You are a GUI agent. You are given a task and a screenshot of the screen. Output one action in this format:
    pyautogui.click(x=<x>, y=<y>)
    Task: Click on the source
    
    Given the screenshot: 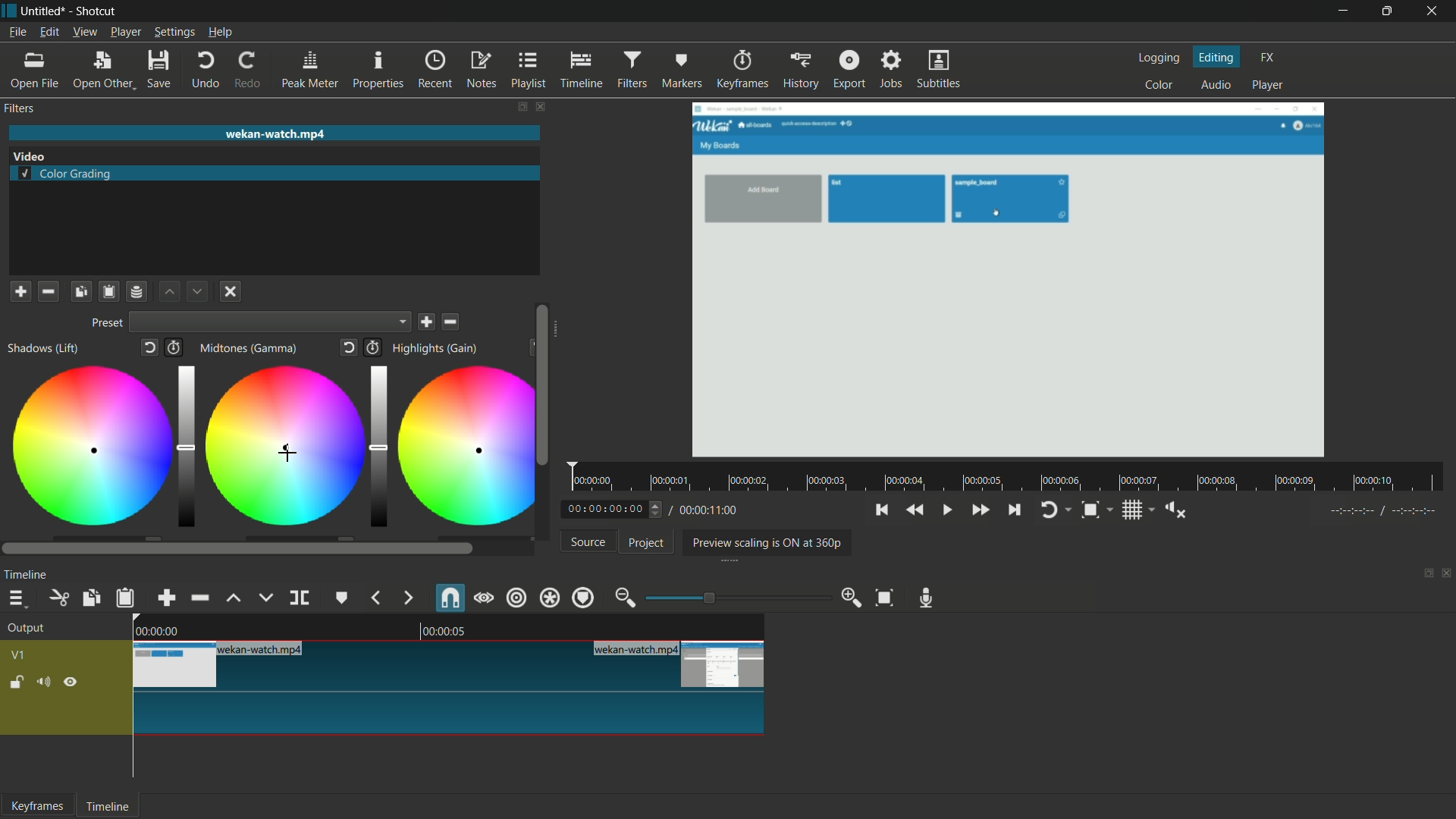 What is the action you would take?
    pyautogui.click(x=588, y=541)
    